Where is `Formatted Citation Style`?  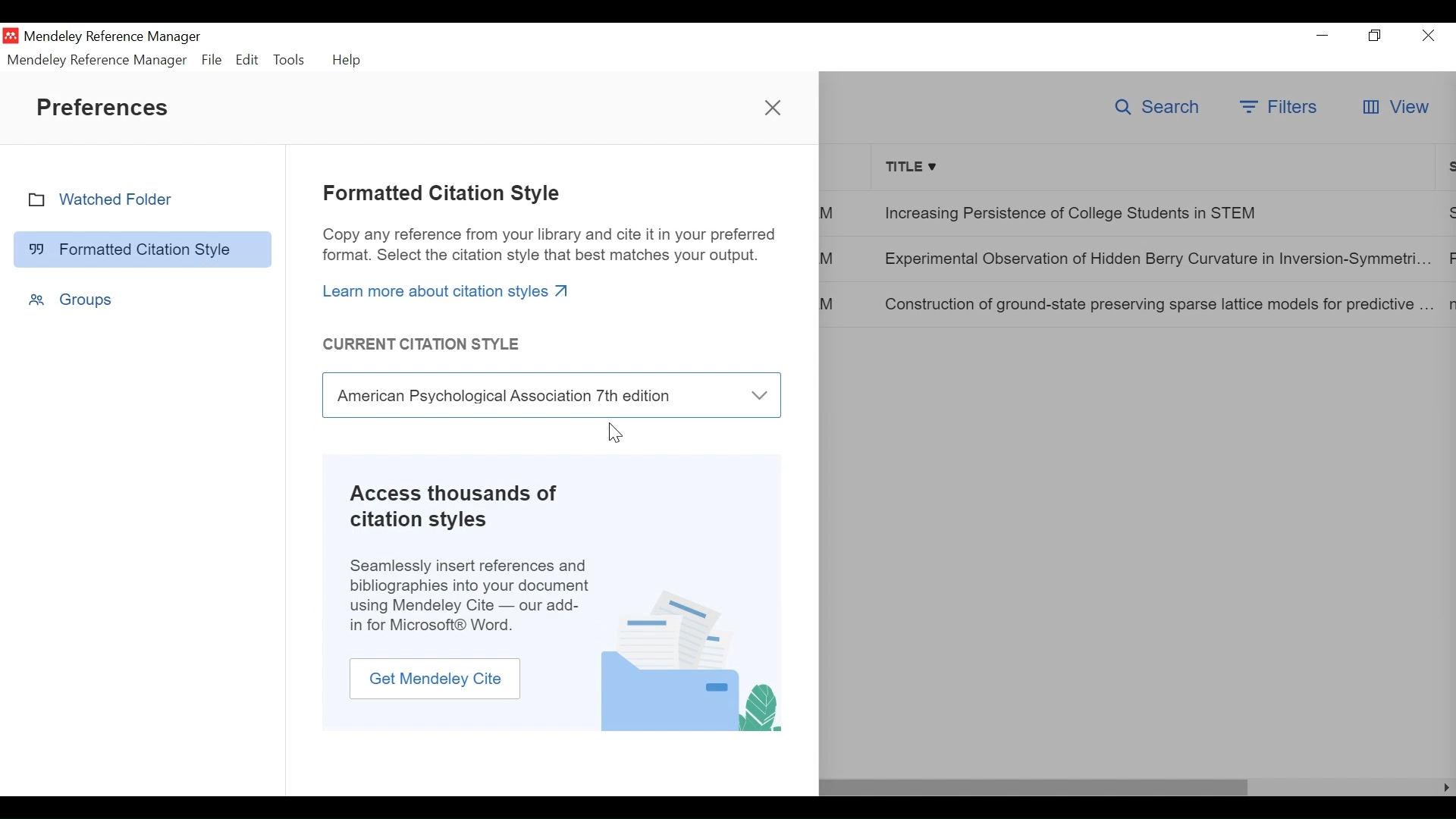 Formatted Citation Style is located at coordinates (143, 248).